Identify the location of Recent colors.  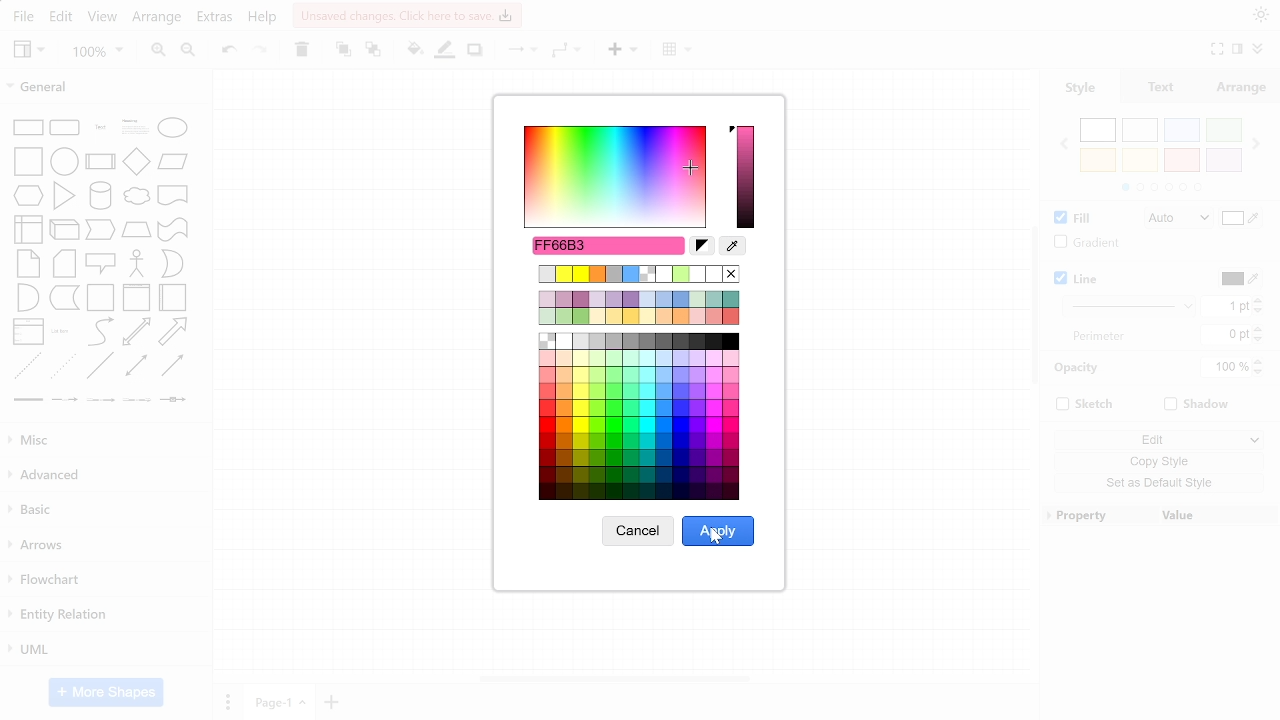
(638, 273).